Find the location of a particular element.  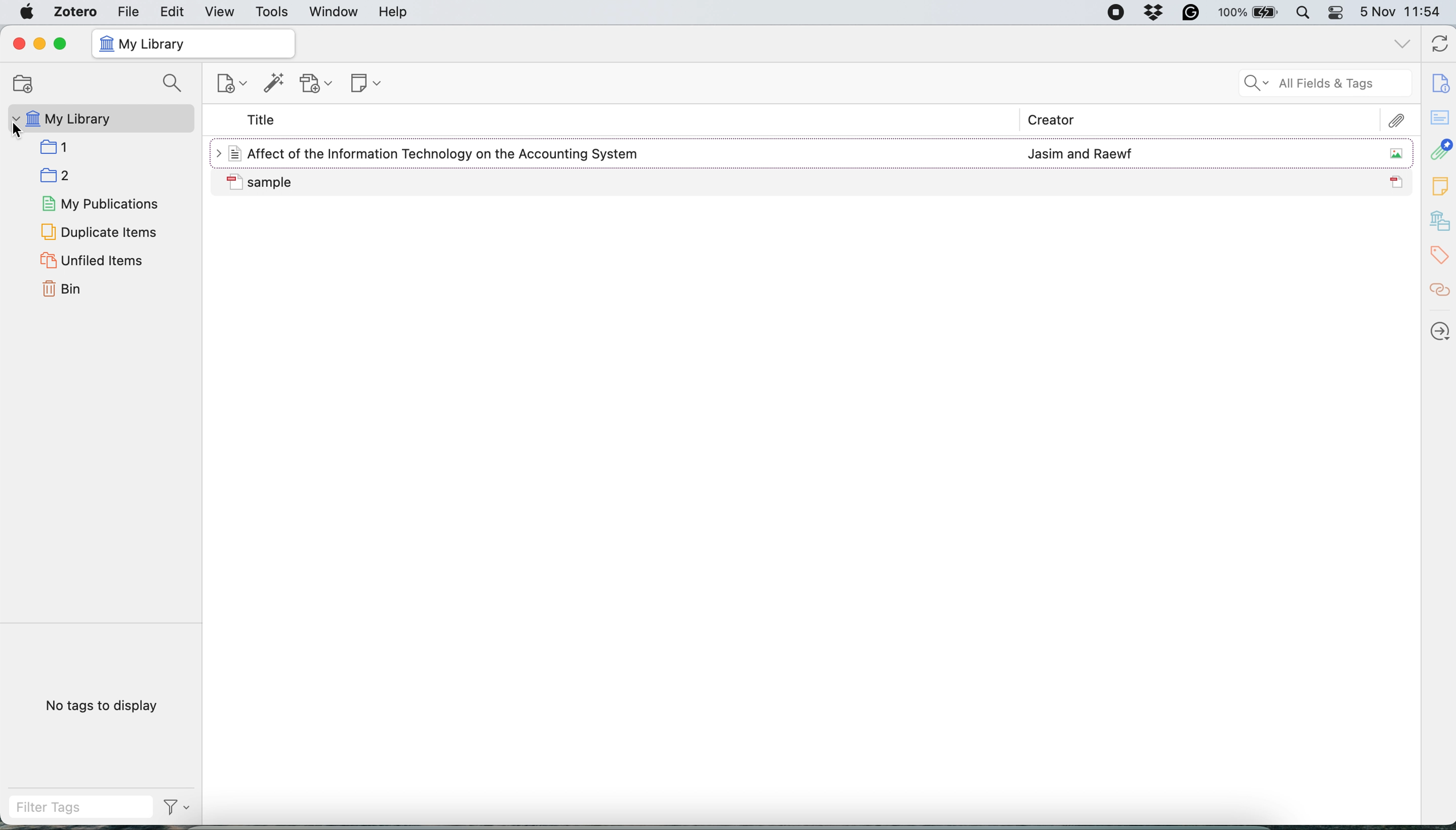

title is located at coordinates (262, 120).